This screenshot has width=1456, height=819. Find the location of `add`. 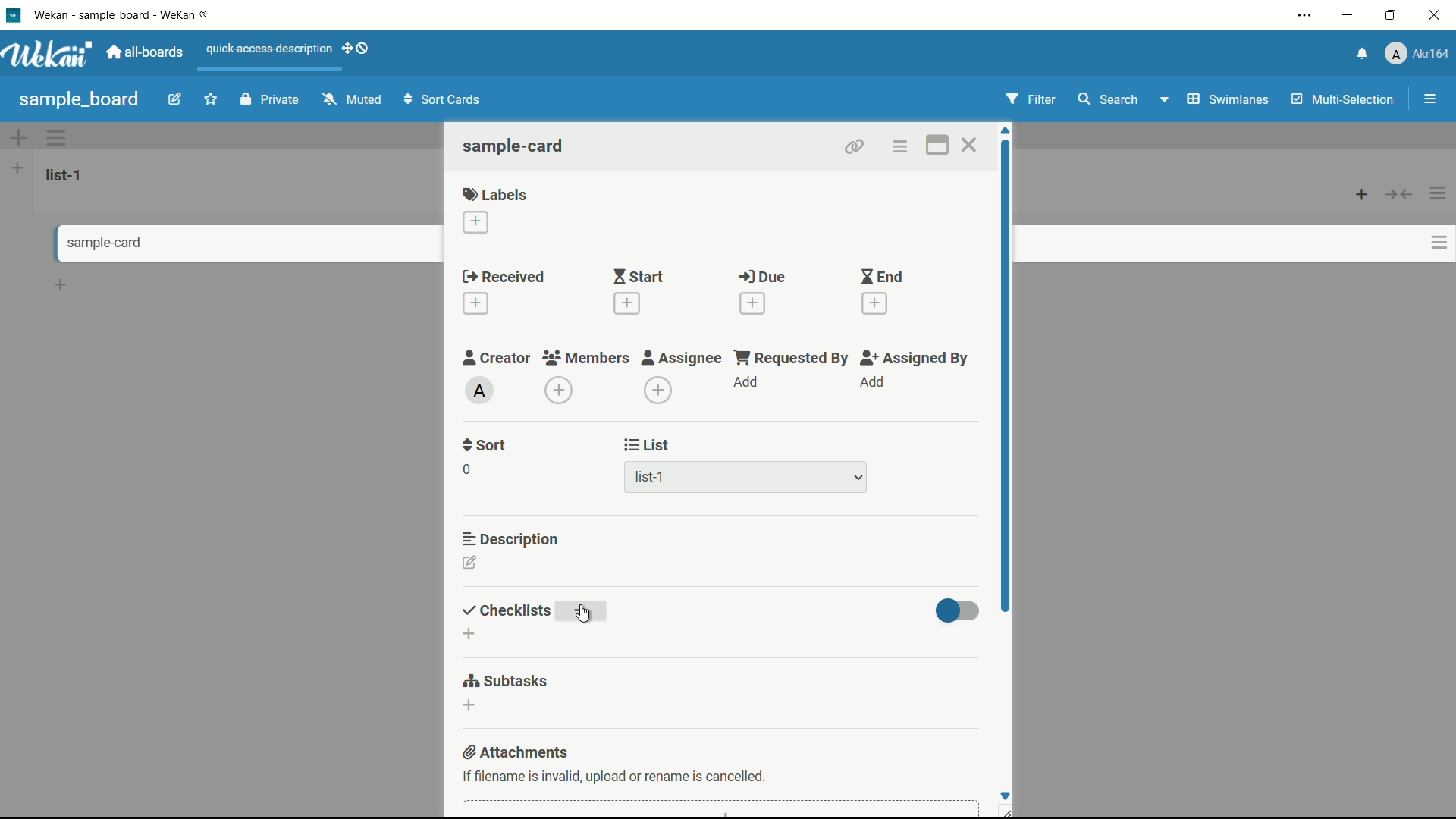

add is located at coordinates (747, 383).